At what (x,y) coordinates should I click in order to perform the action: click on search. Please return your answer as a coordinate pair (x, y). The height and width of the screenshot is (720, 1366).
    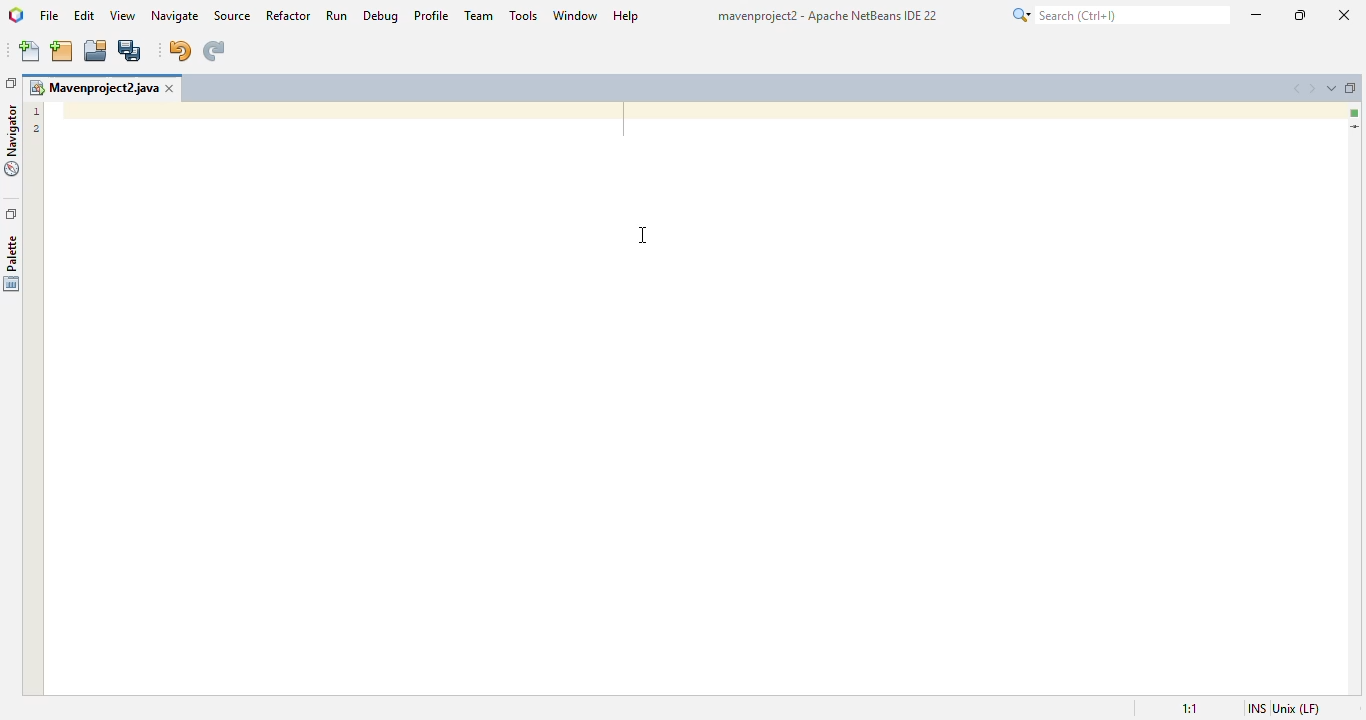
    Looking at the image, I should click on (1120, 14).